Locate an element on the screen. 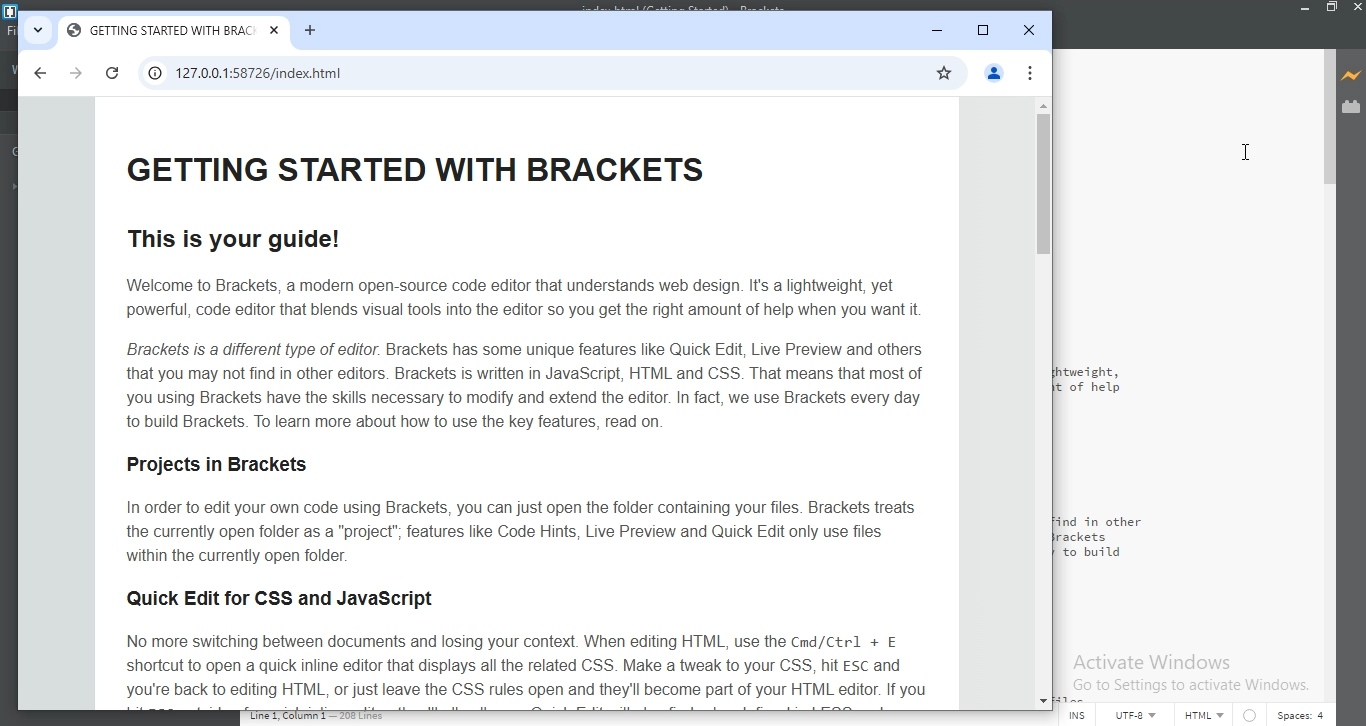 This screenshot has width=1366, height=726. tabs is located at coordinates (34, 30).